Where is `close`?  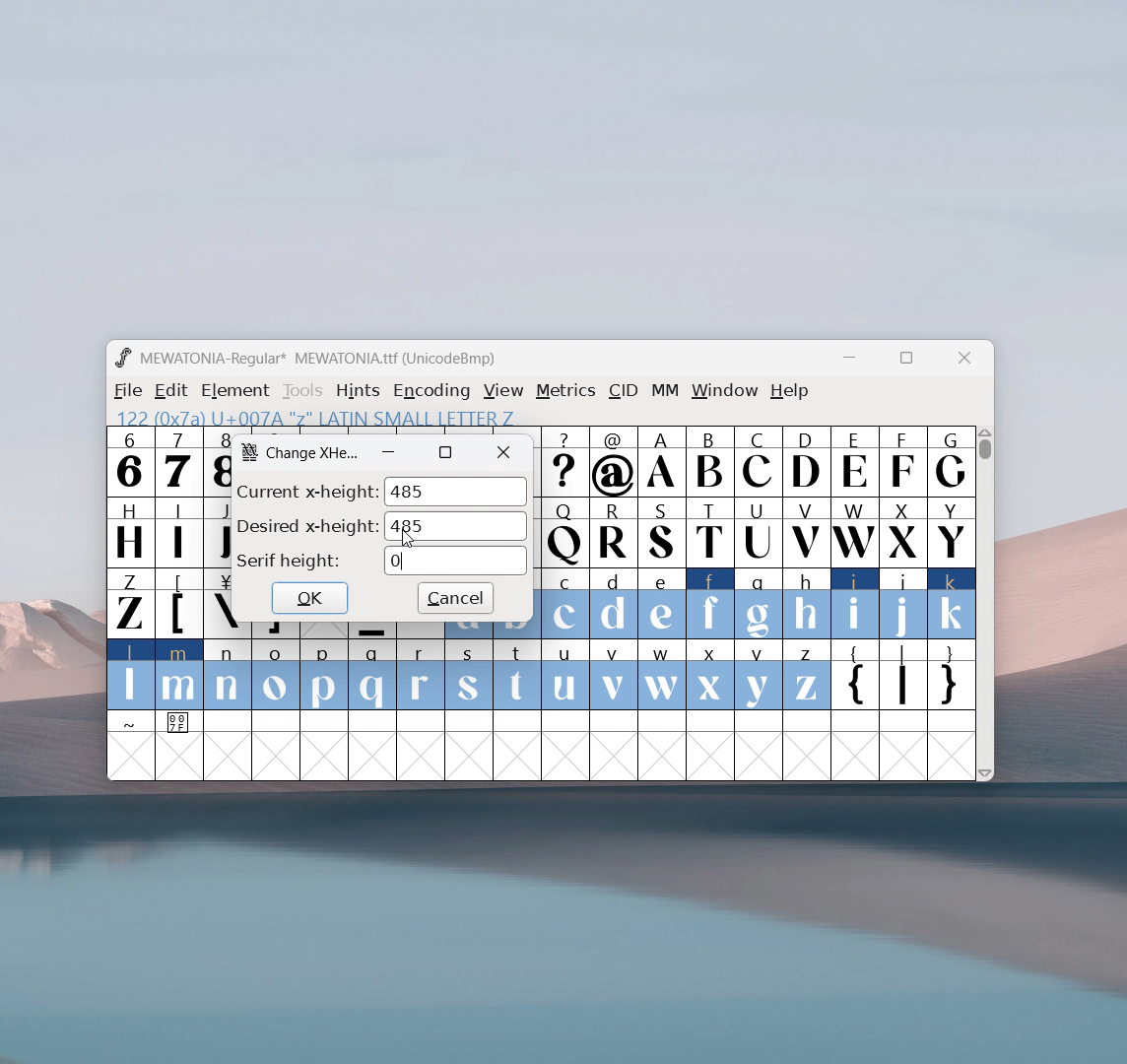
close is located at coordinates (964, 359).